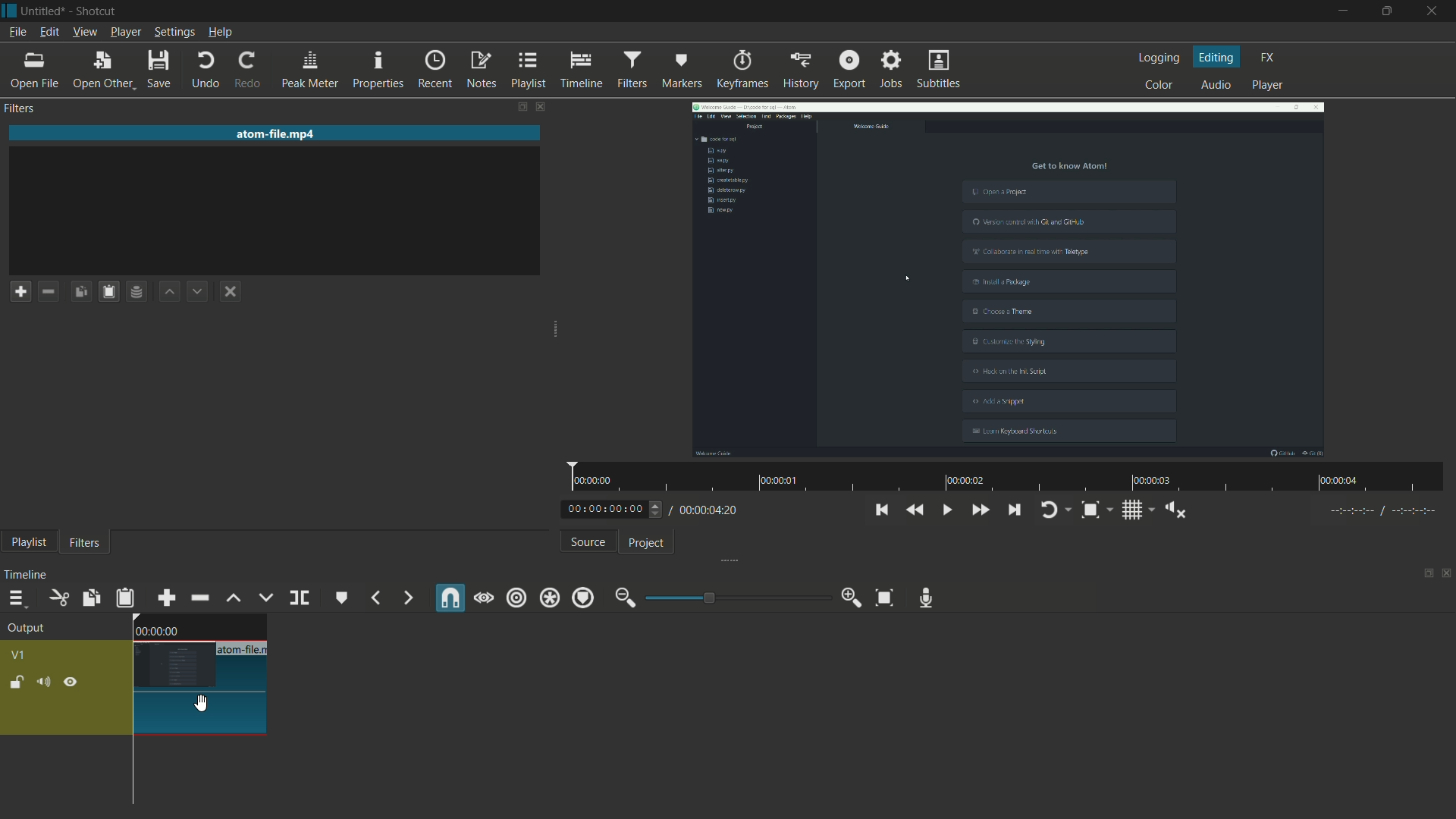 This screenshot has height=819, width=1456. I want to click on close filter pane, so click(543, 105).